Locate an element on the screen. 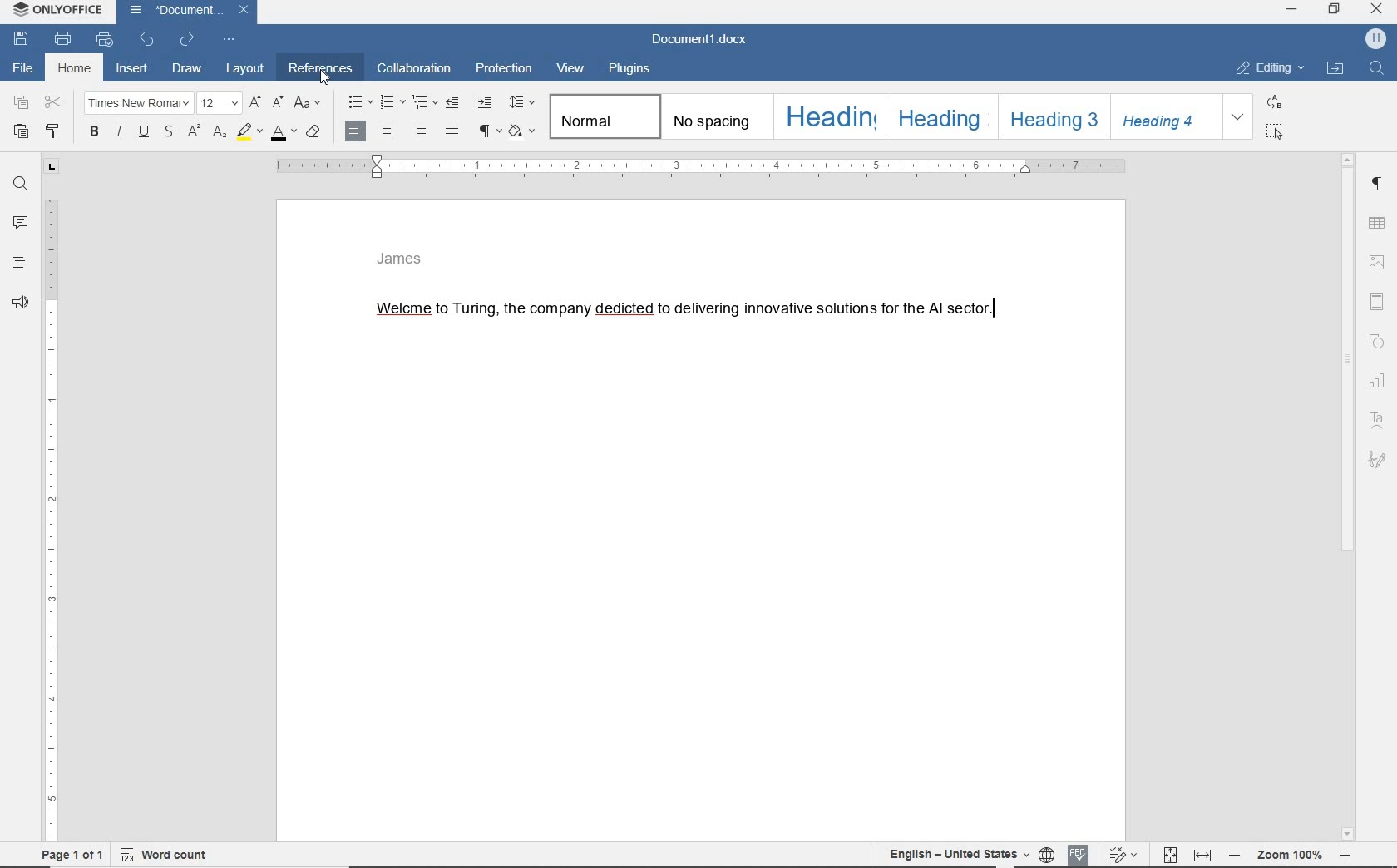 Image resolution: width=1397 pixels, height=868 pixels. clear style is located at coordinates (313, 133).